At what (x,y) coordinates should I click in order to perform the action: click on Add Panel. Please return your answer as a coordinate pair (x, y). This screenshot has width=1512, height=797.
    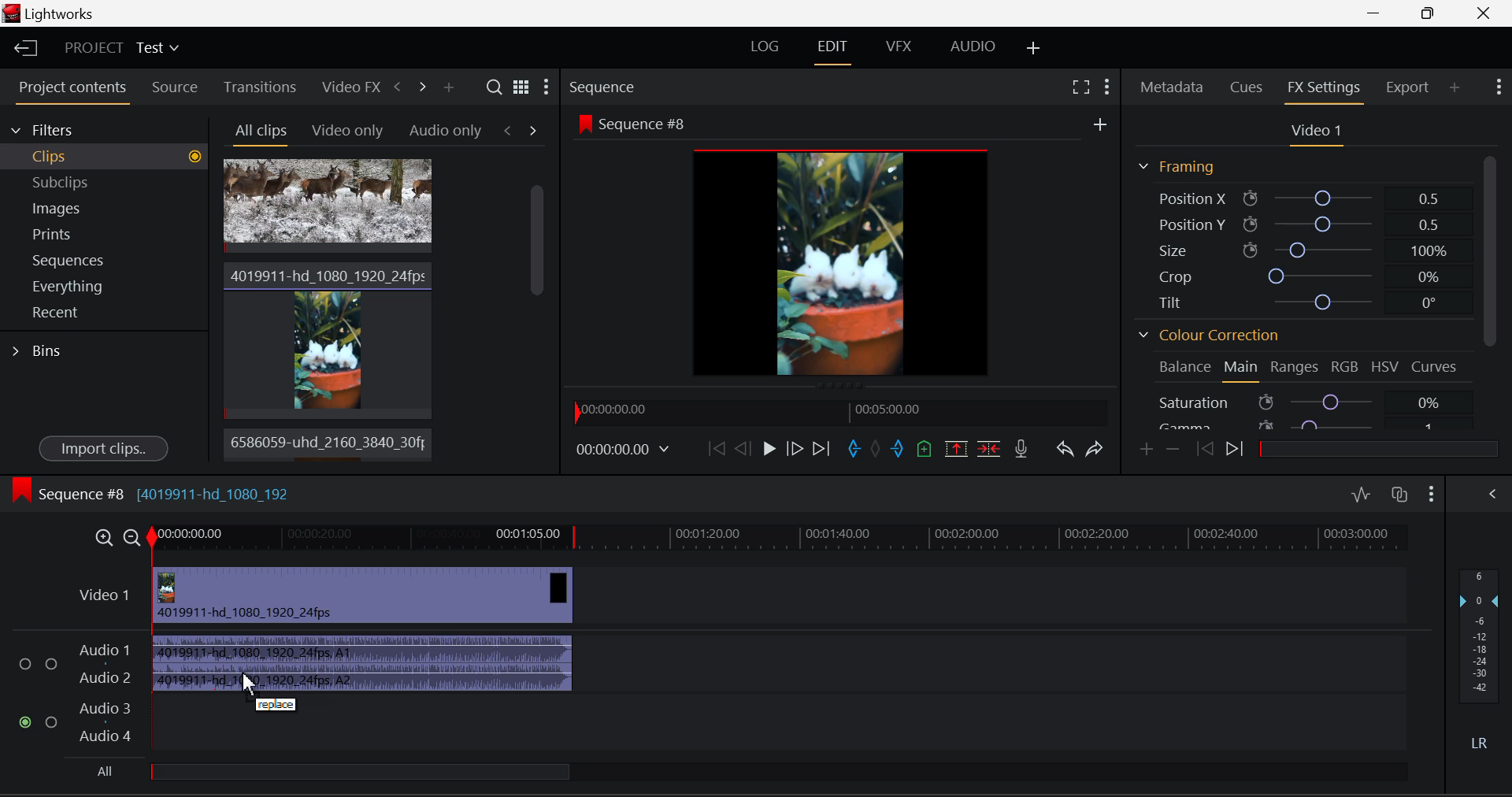
    Looking at the image, I should click on (448, 87).